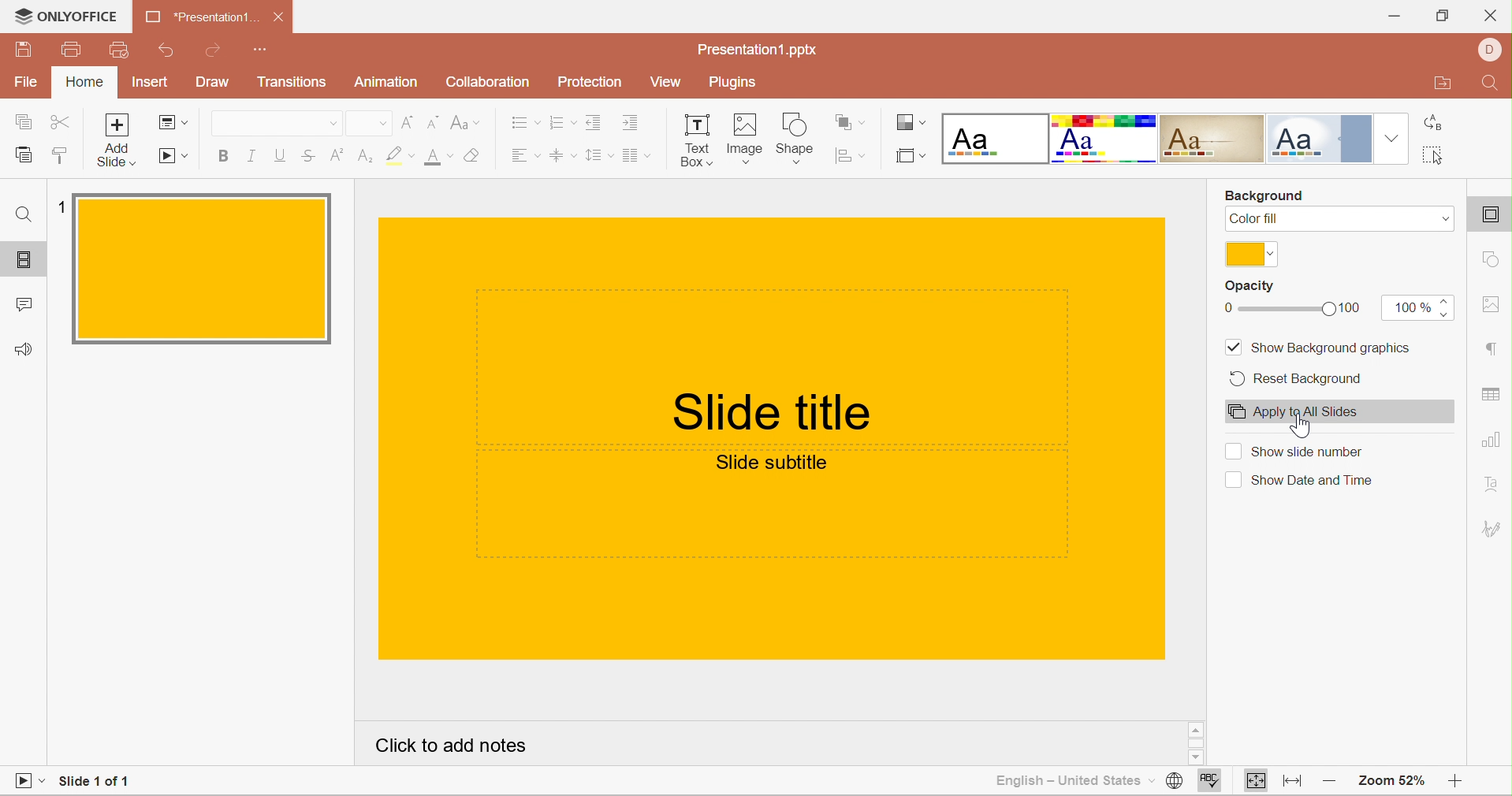 The image size is (1512, 796). Describe the element at coordinates (850, 154) in the screenshot. I see `Align shape` at that location.